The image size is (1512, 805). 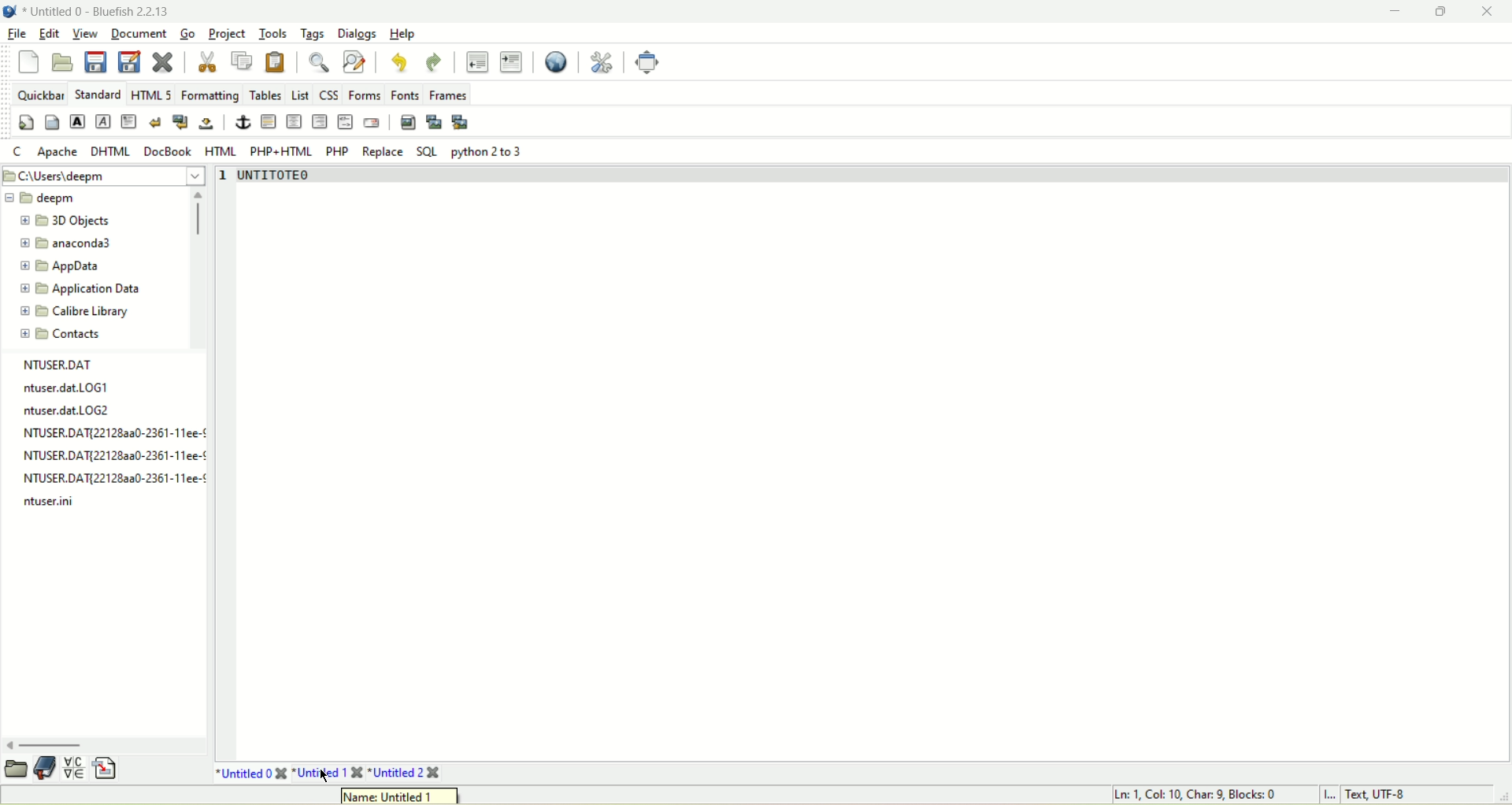 What do you see at coordinates (317, 61) in the screenshot?
I see `show find bar` at bounding box center [317, 61].